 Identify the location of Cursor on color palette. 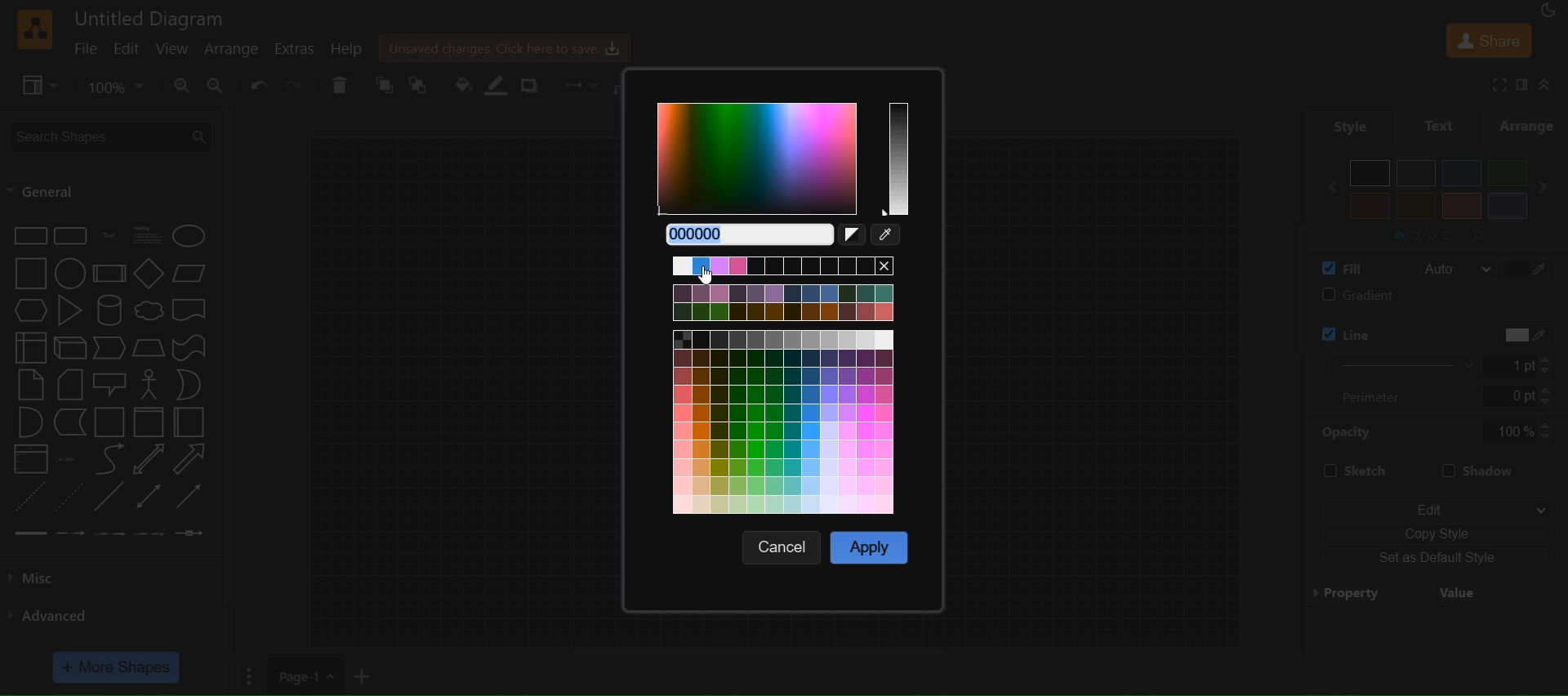
(717, 279).